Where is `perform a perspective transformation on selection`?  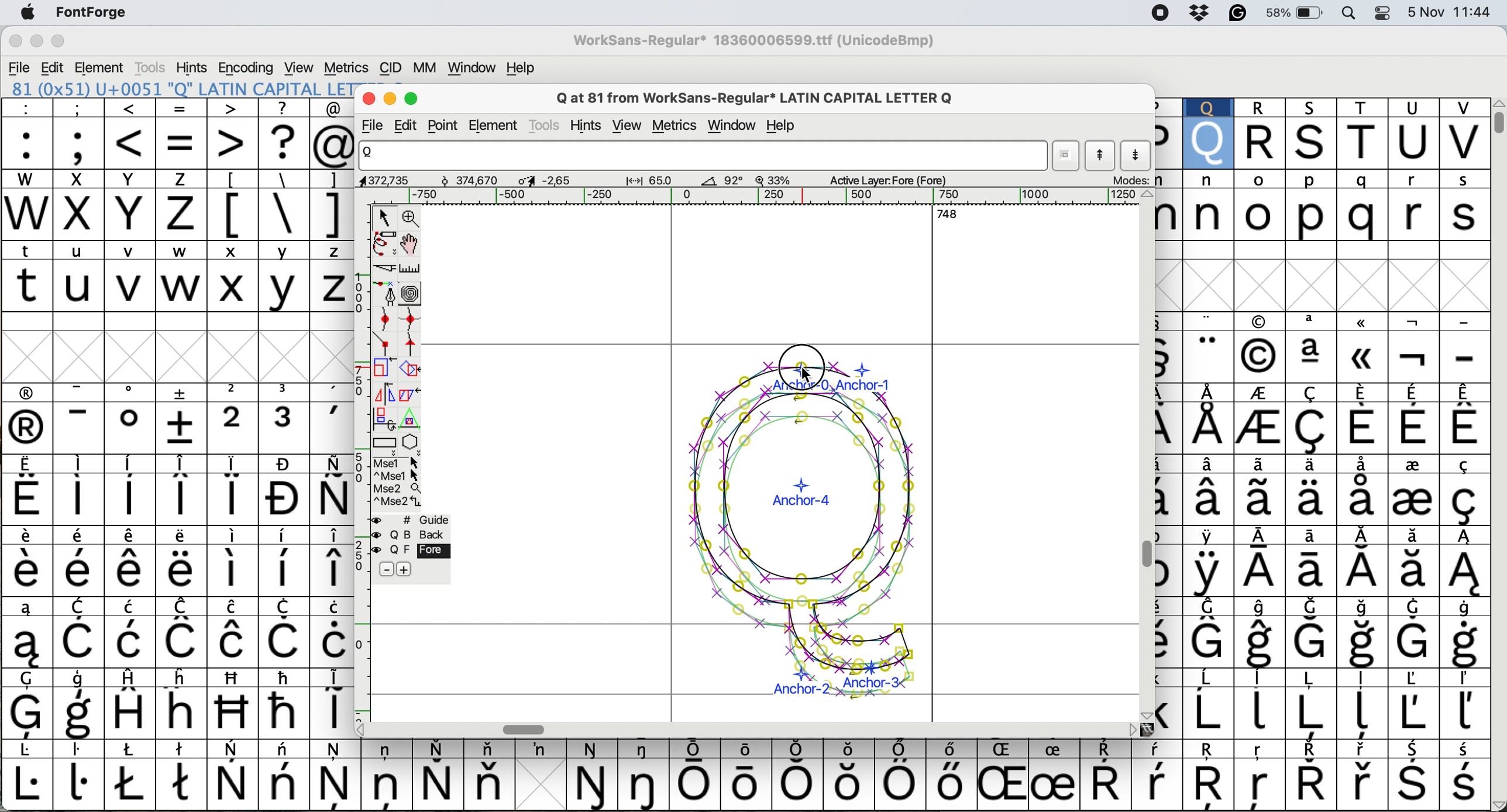
perform a perspective transformation on selection is located at coordinates (413, 419).